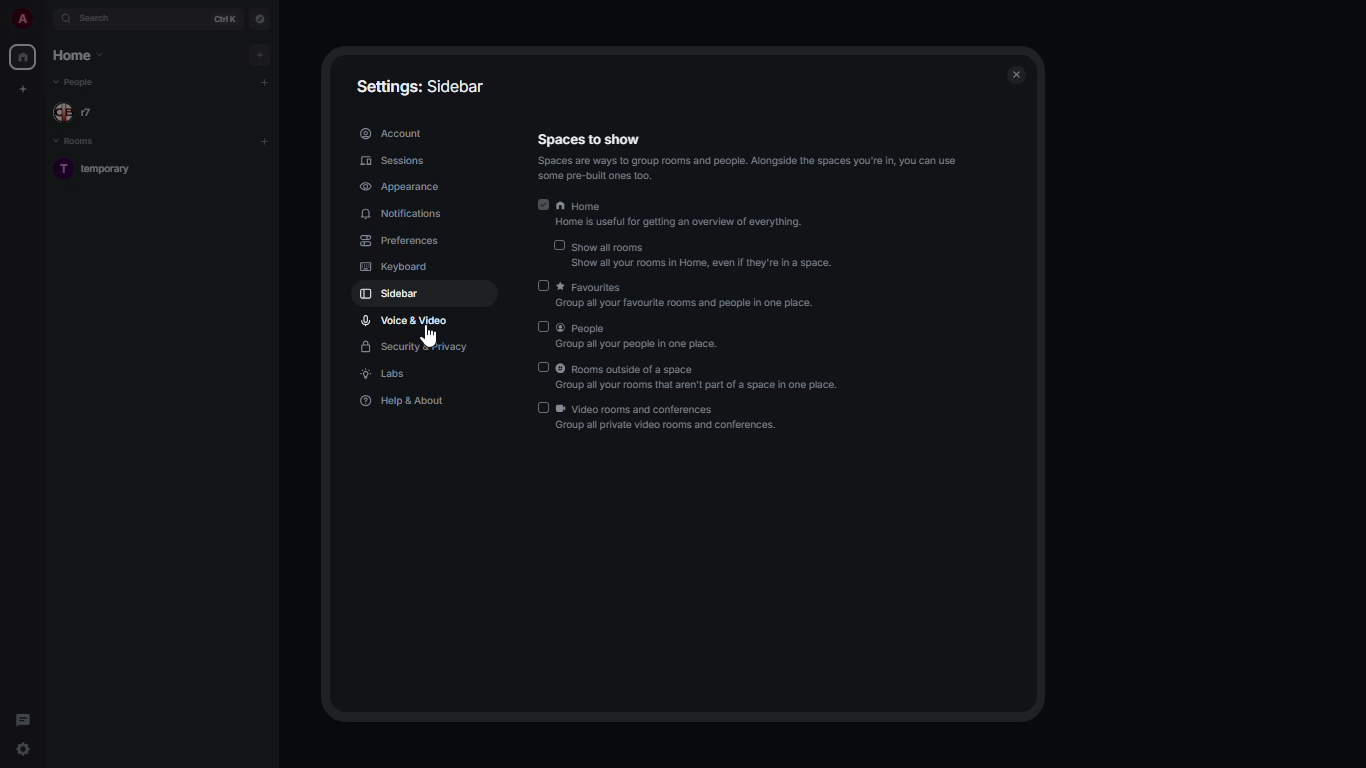 This screenshot has width=1366, height=768. Describe the element at coordinates (545, 408) in the screenshot. I see `disabled` at that location.